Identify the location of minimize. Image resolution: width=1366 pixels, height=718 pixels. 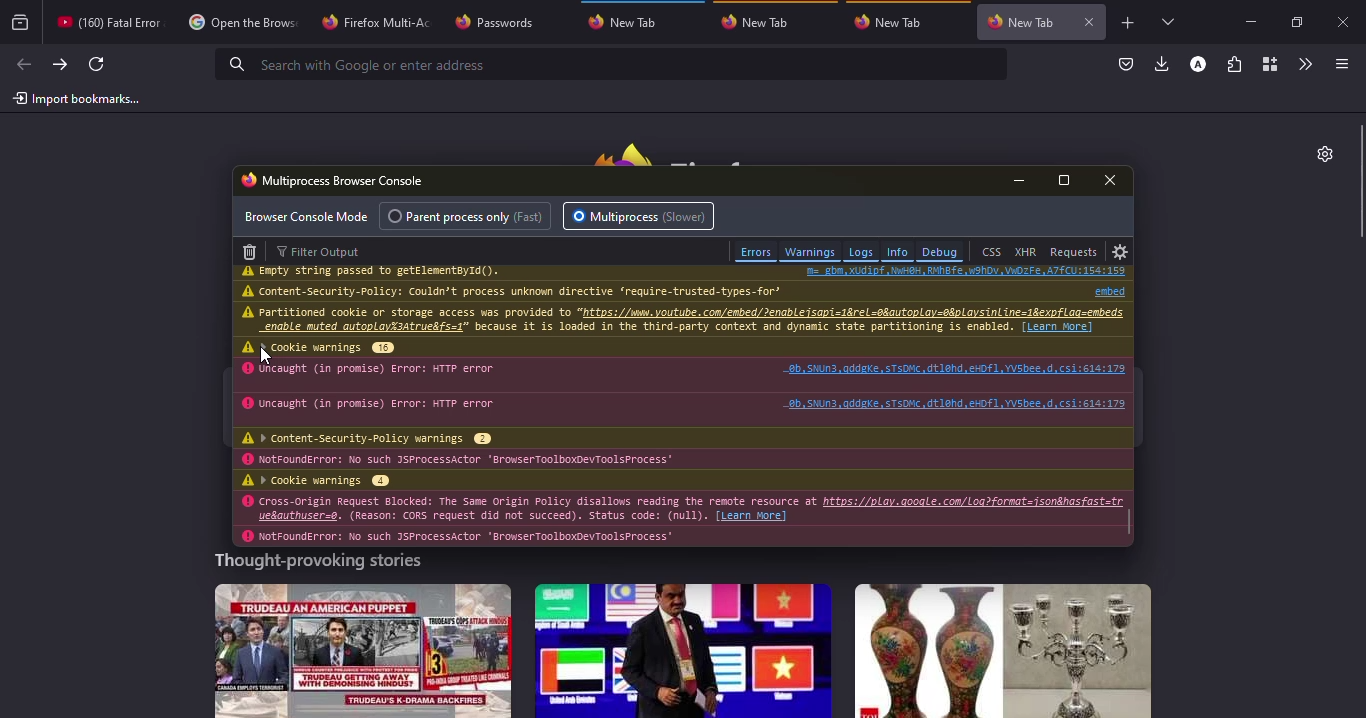
(1247, 19).